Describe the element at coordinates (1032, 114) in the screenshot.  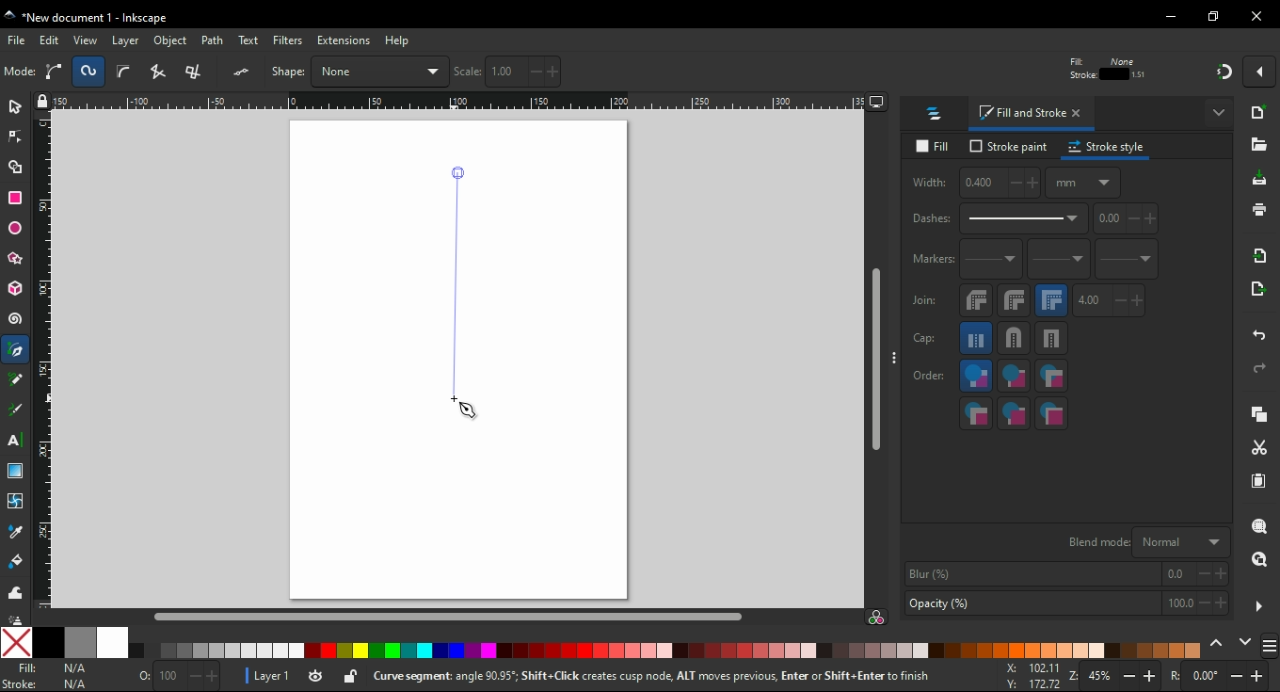
I see `fill and stroke` at that location.